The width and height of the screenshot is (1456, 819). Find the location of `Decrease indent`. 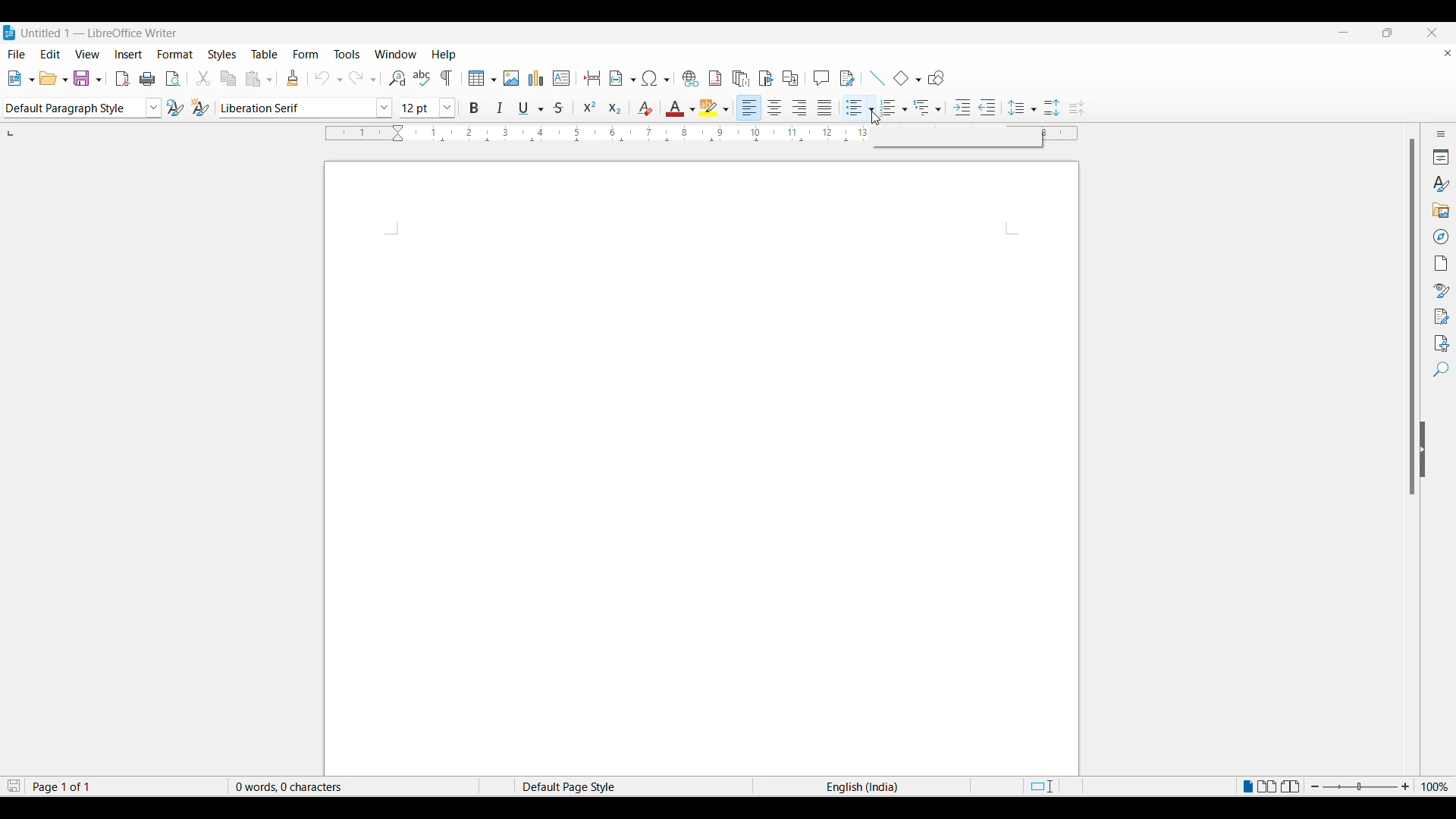

Decrease indent is located at coordinates (992, 105).